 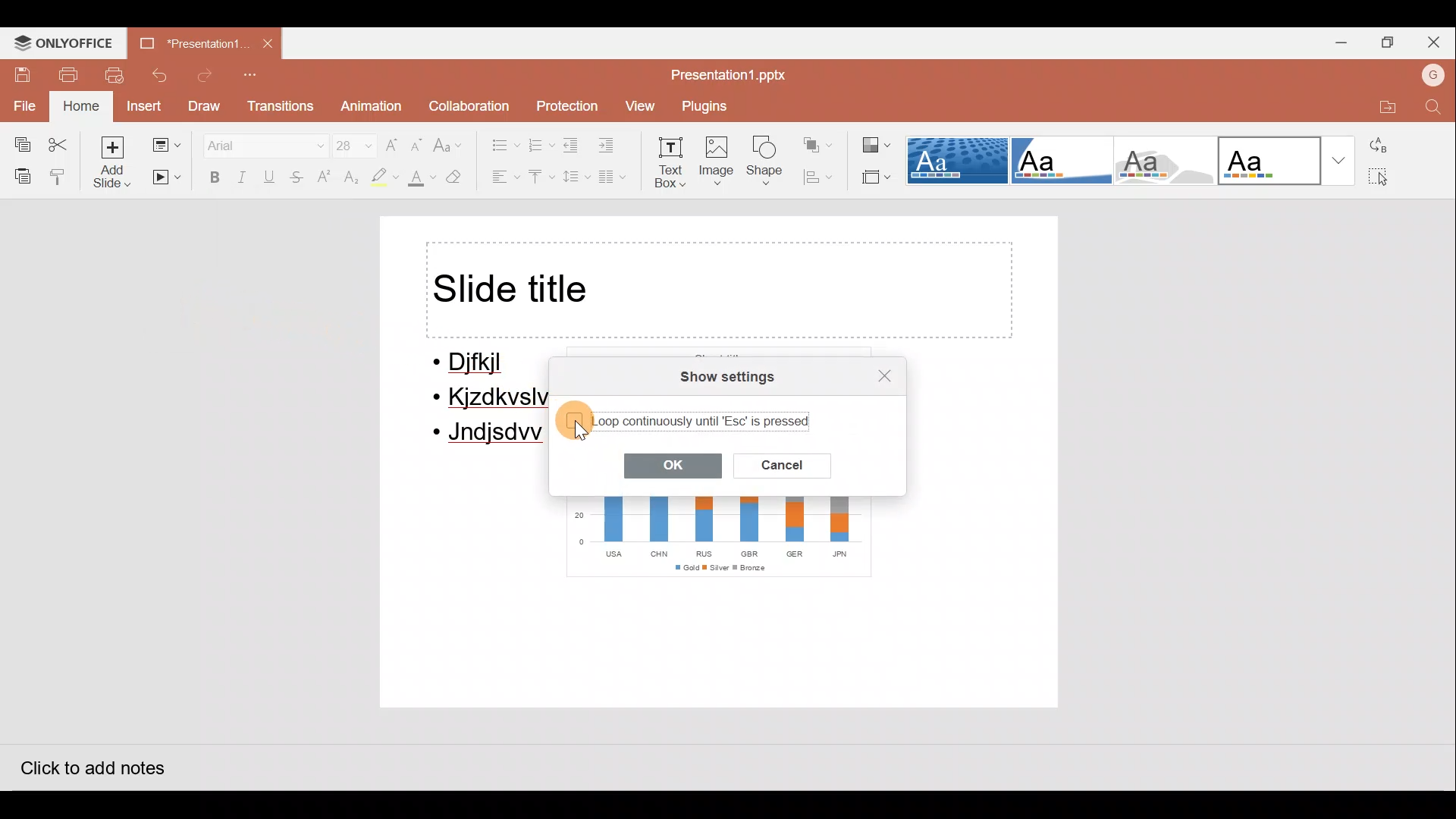 I want to click on Insert, so click(x=140, y=107).